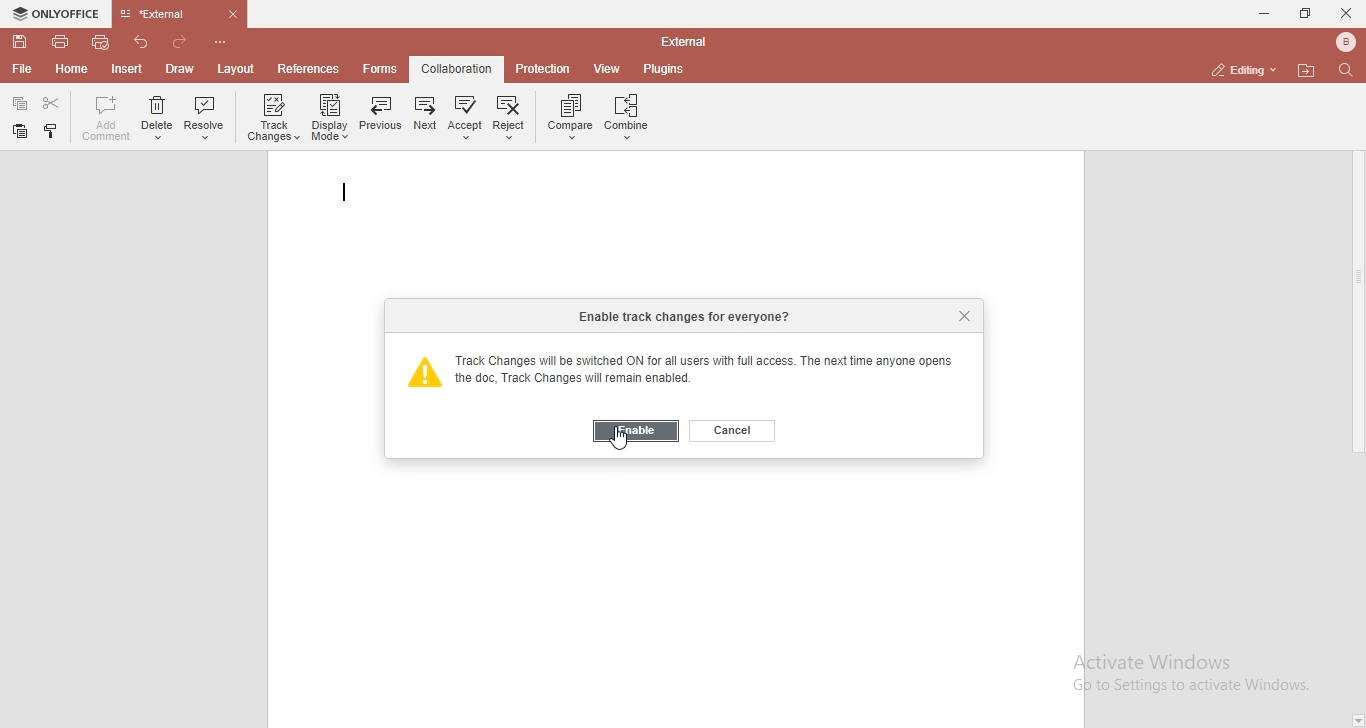  What do you see at coordinates (458, 68) in the screenshot?
I see `collaboration` at bounding box center [458, 68].